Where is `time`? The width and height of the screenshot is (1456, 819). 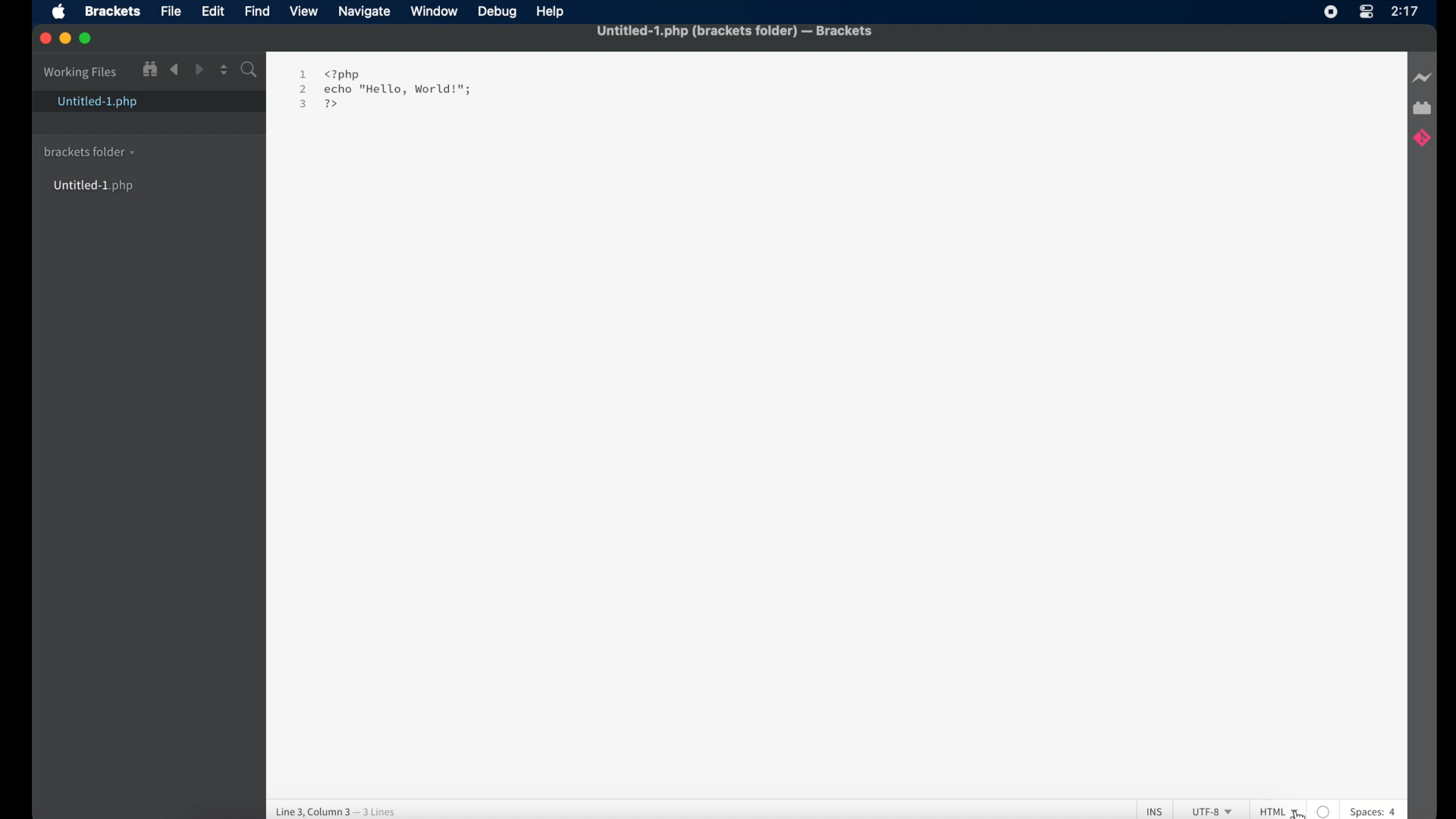 time is located at coordinates (1405, 11).